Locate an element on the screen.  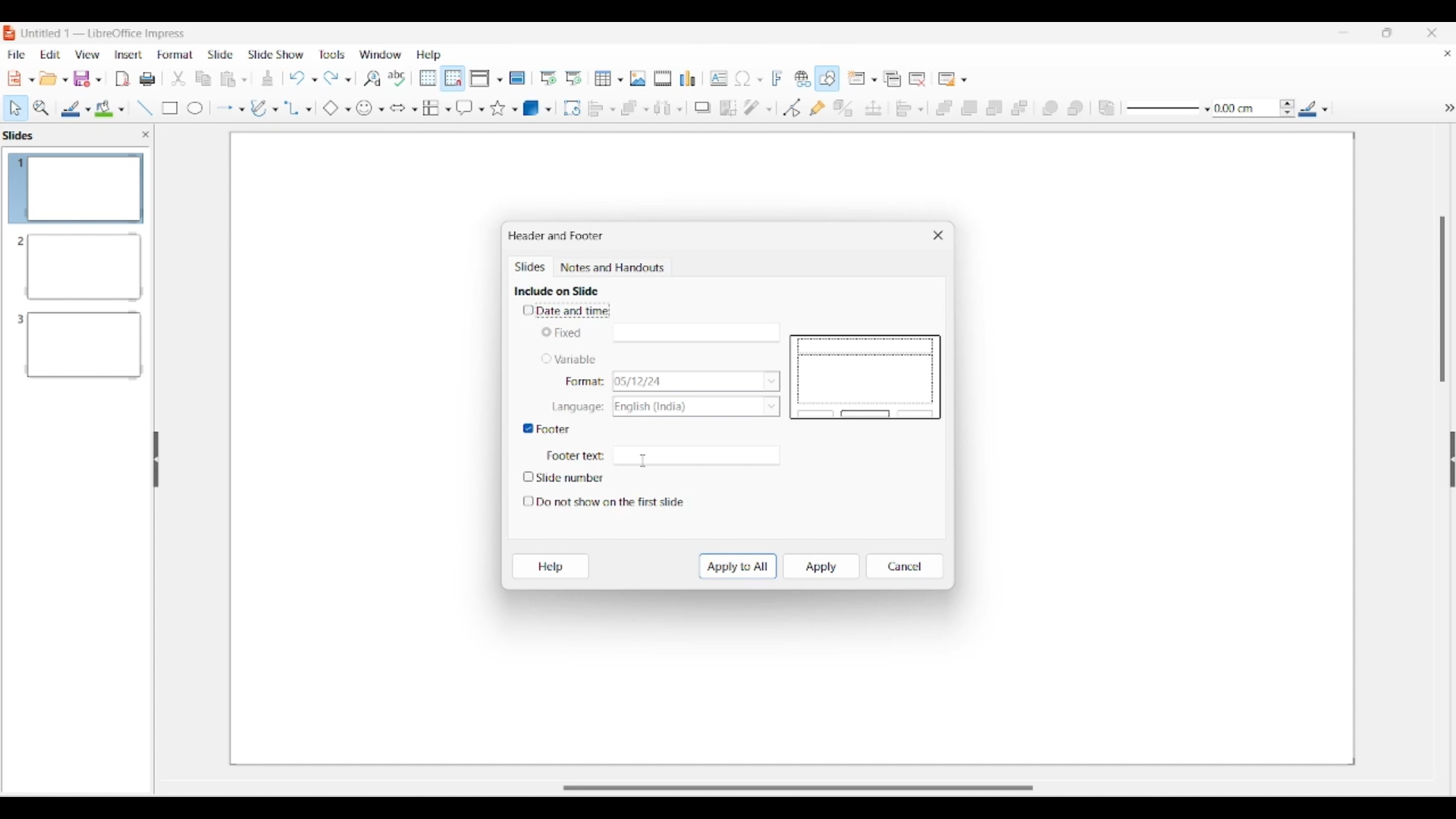
Insert menu is located at coordinates (128, 55).